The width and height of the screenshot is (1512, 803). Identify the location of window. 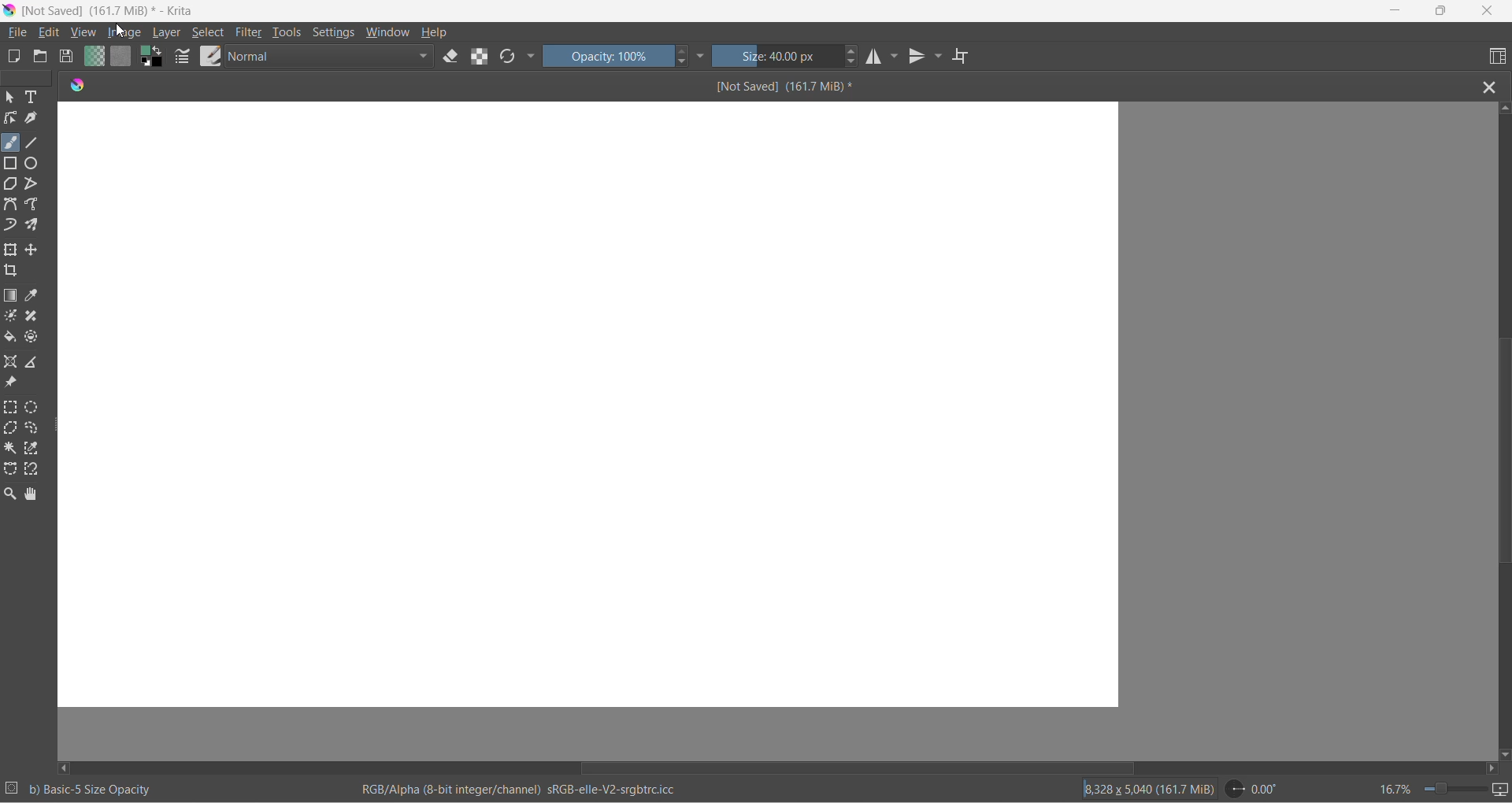
(387, 34).